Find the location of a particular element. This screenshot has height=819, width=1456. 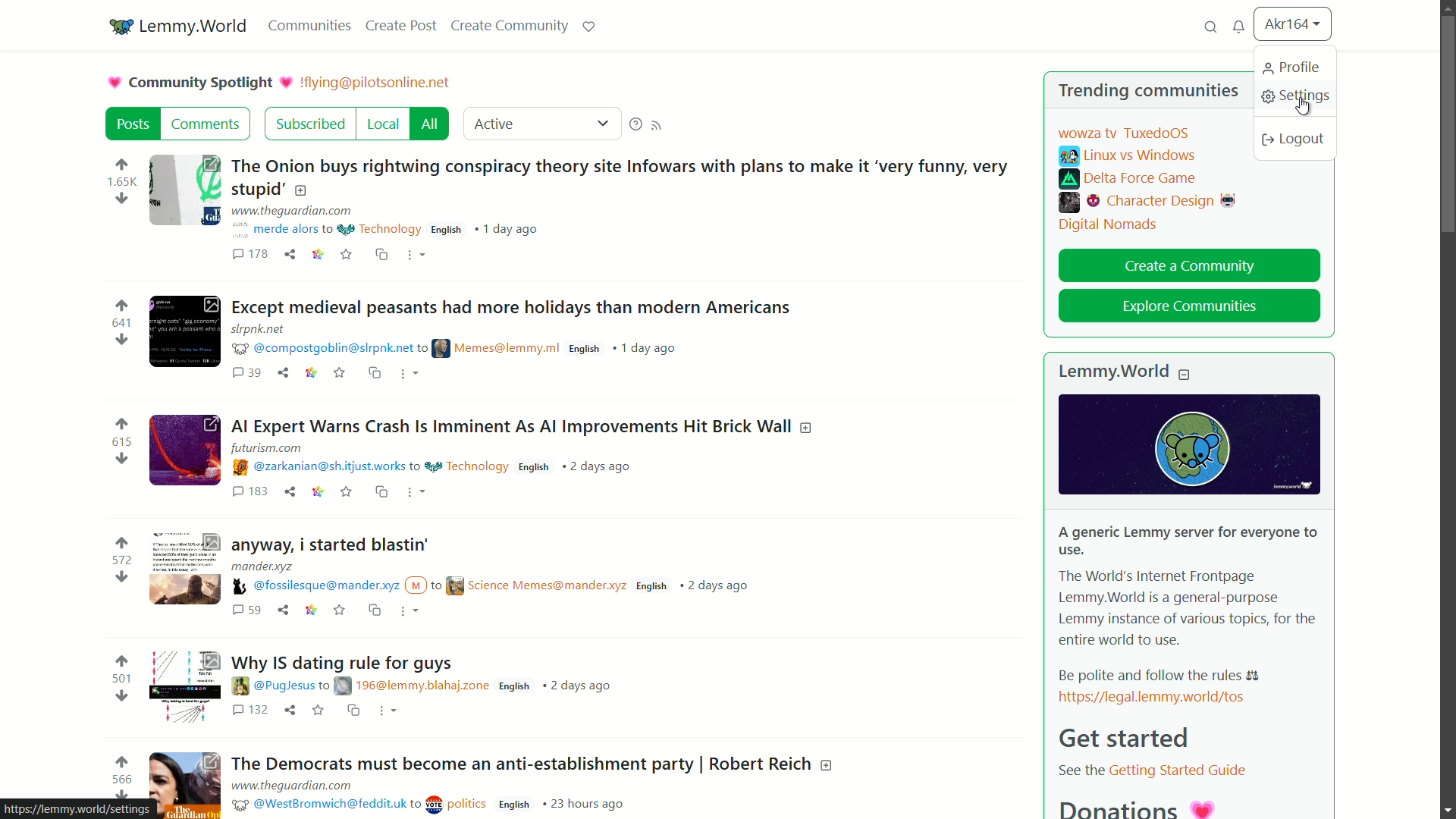

share is located at coordinates (281, 610).